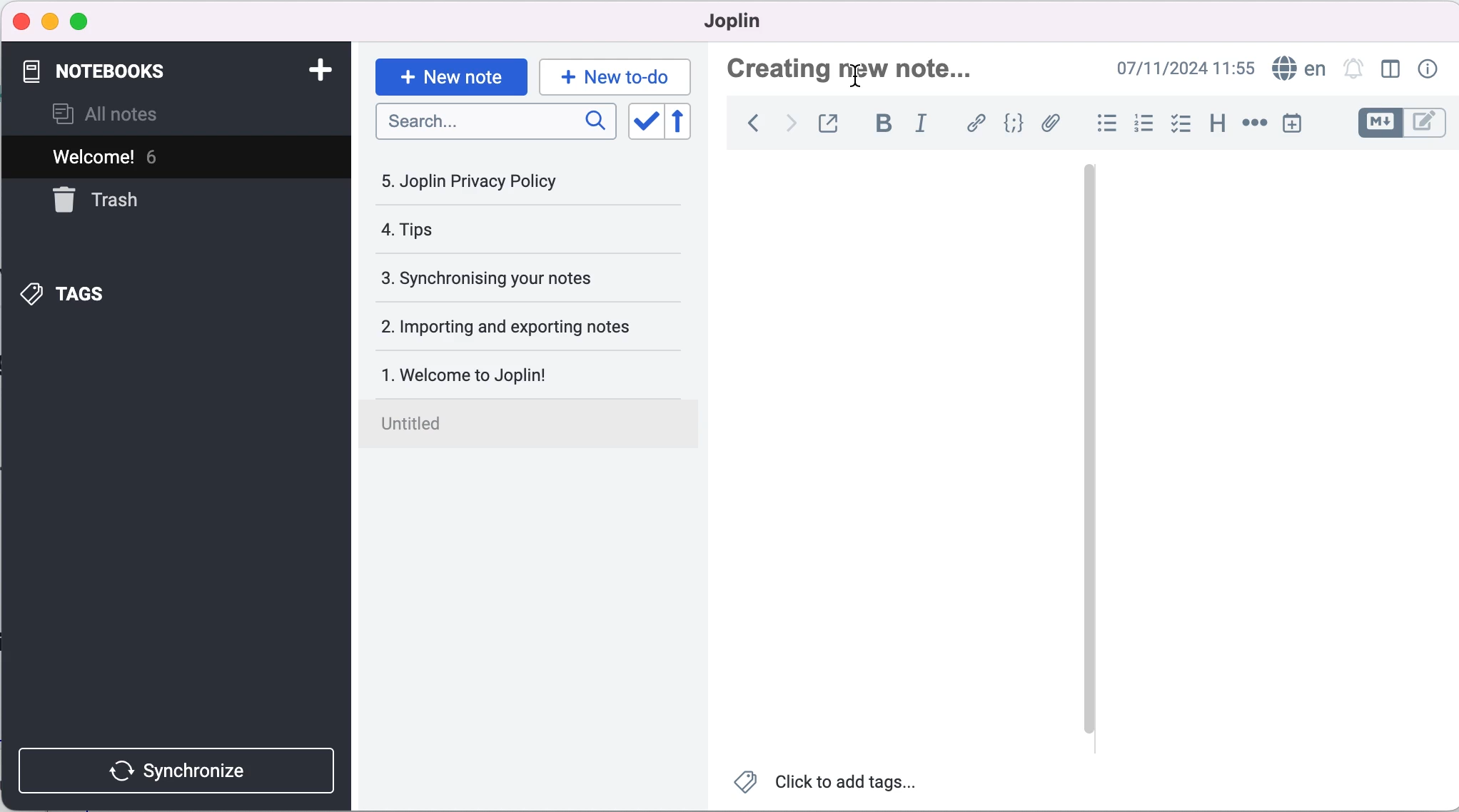 This screenshot has width=1459, height=812. Describe the element at coordinates (1390, 70) in the screenshot. I see `toggle editor layout` at that location.